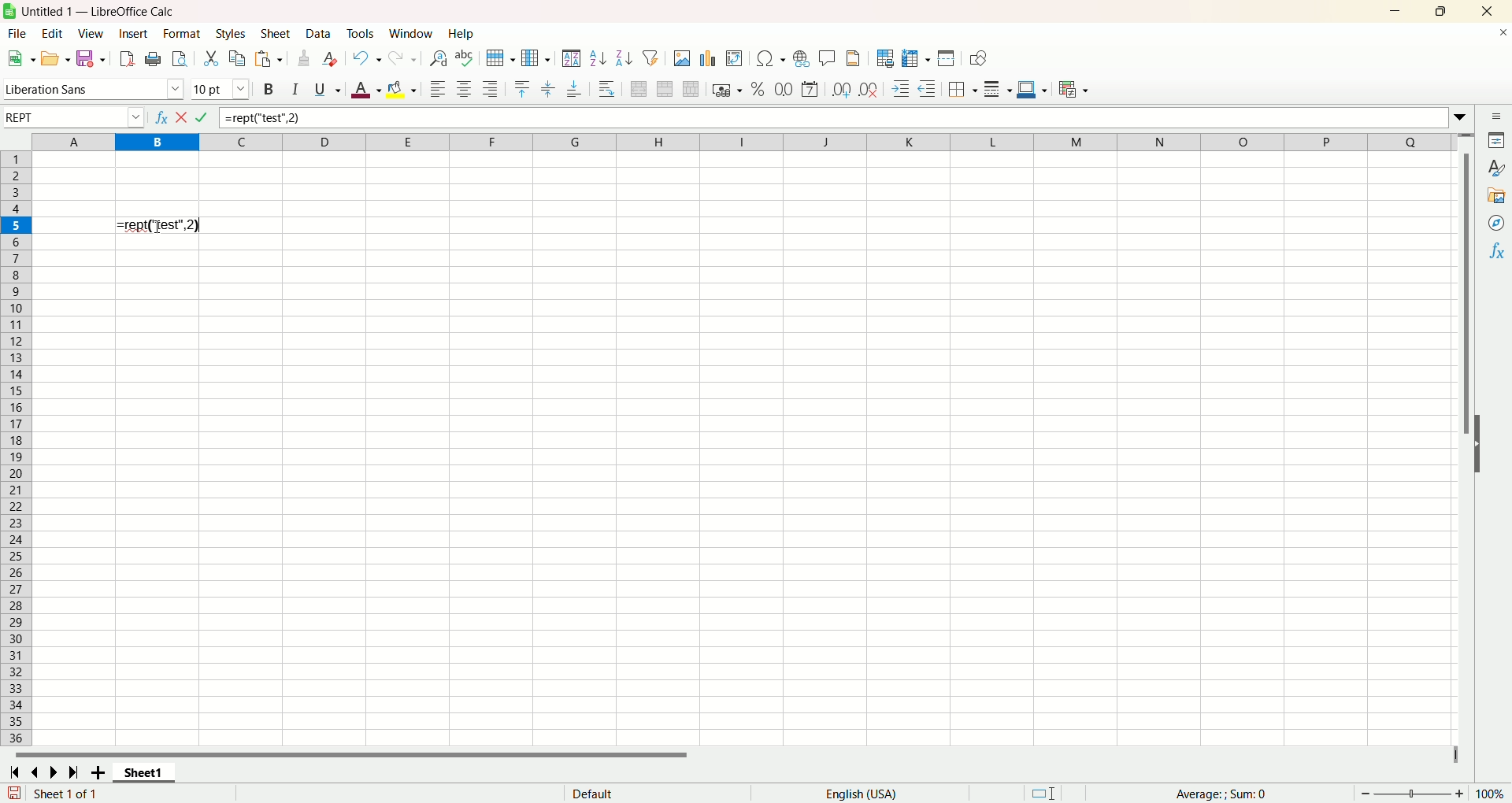 The height and width of the screenshot is (803, 1512). I want to click on column, so click(535, 57).